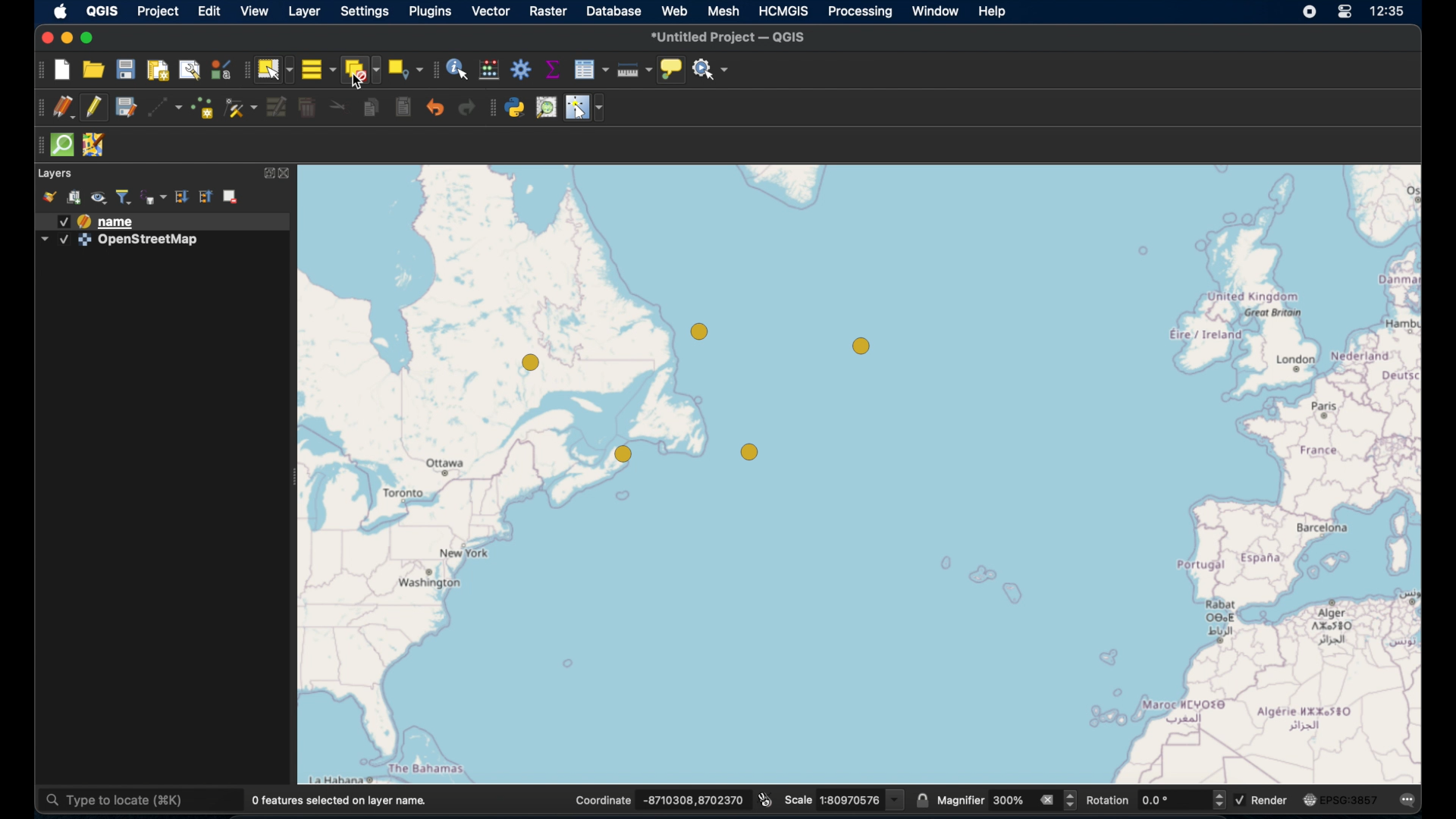 This screenshot has height=819, width=1456. Describe the element at coordinates (63, 240) in the screenshot. I see `checked checkbox` at that location.